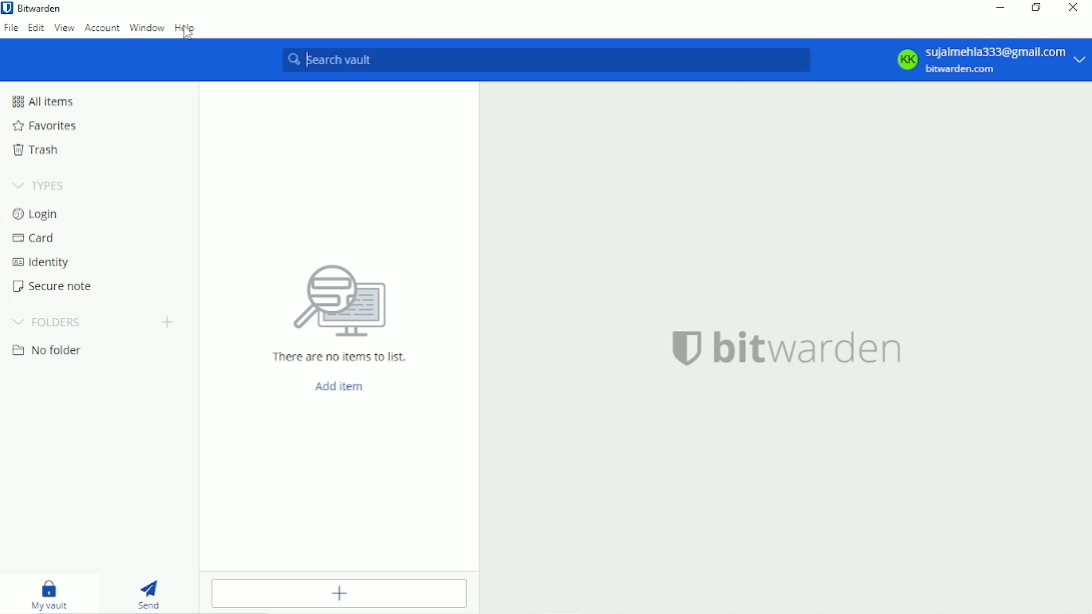 The height and width of the screenshot is (614, 1092). Describe the element at coordinates (12, 28) in the screenshot. I see `File` at that location.